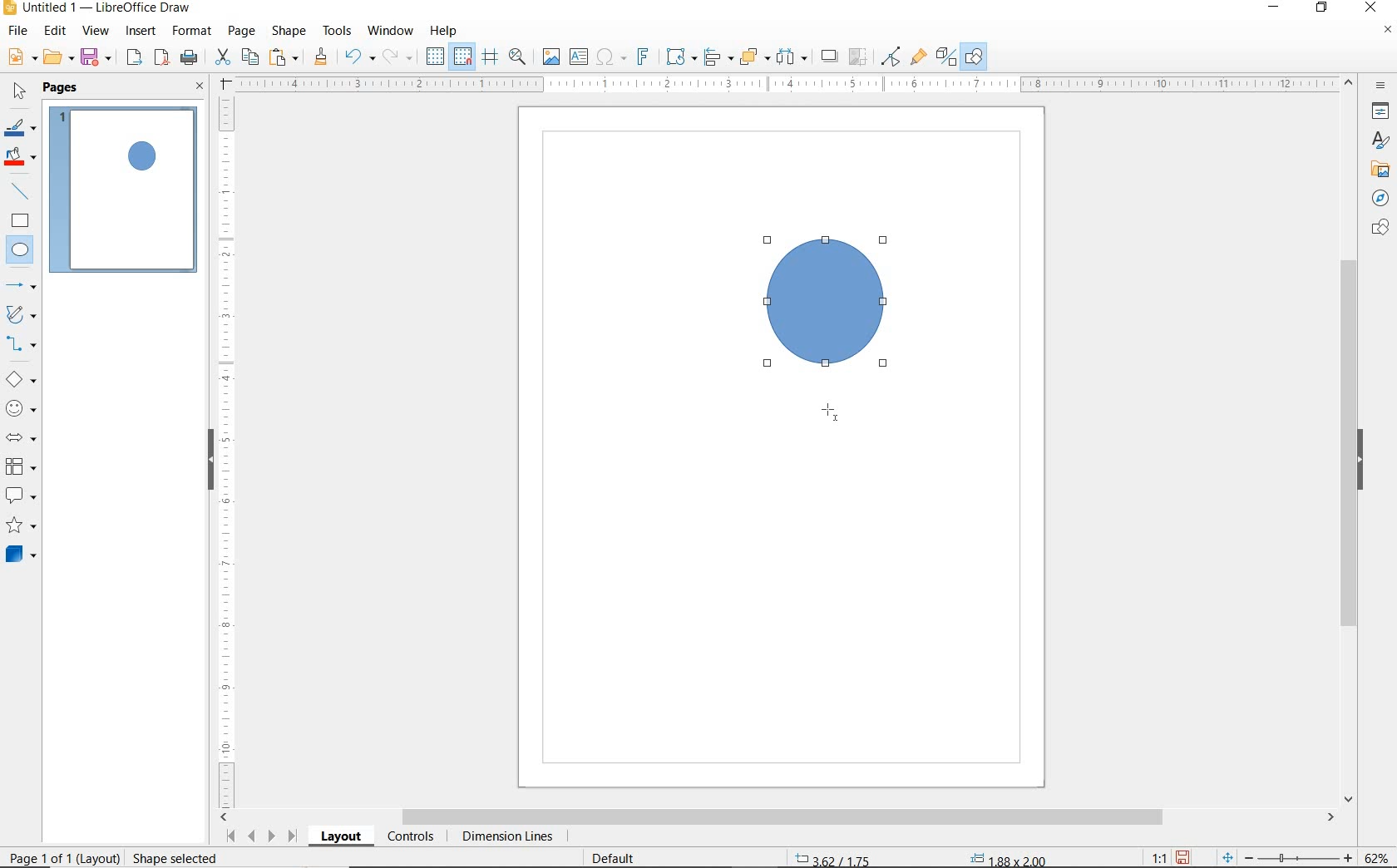 This screenshot has width=1397, height=868. Describe the element at coordinates (1378, 170) in the screenshot. I see `GALLERY` at that location.